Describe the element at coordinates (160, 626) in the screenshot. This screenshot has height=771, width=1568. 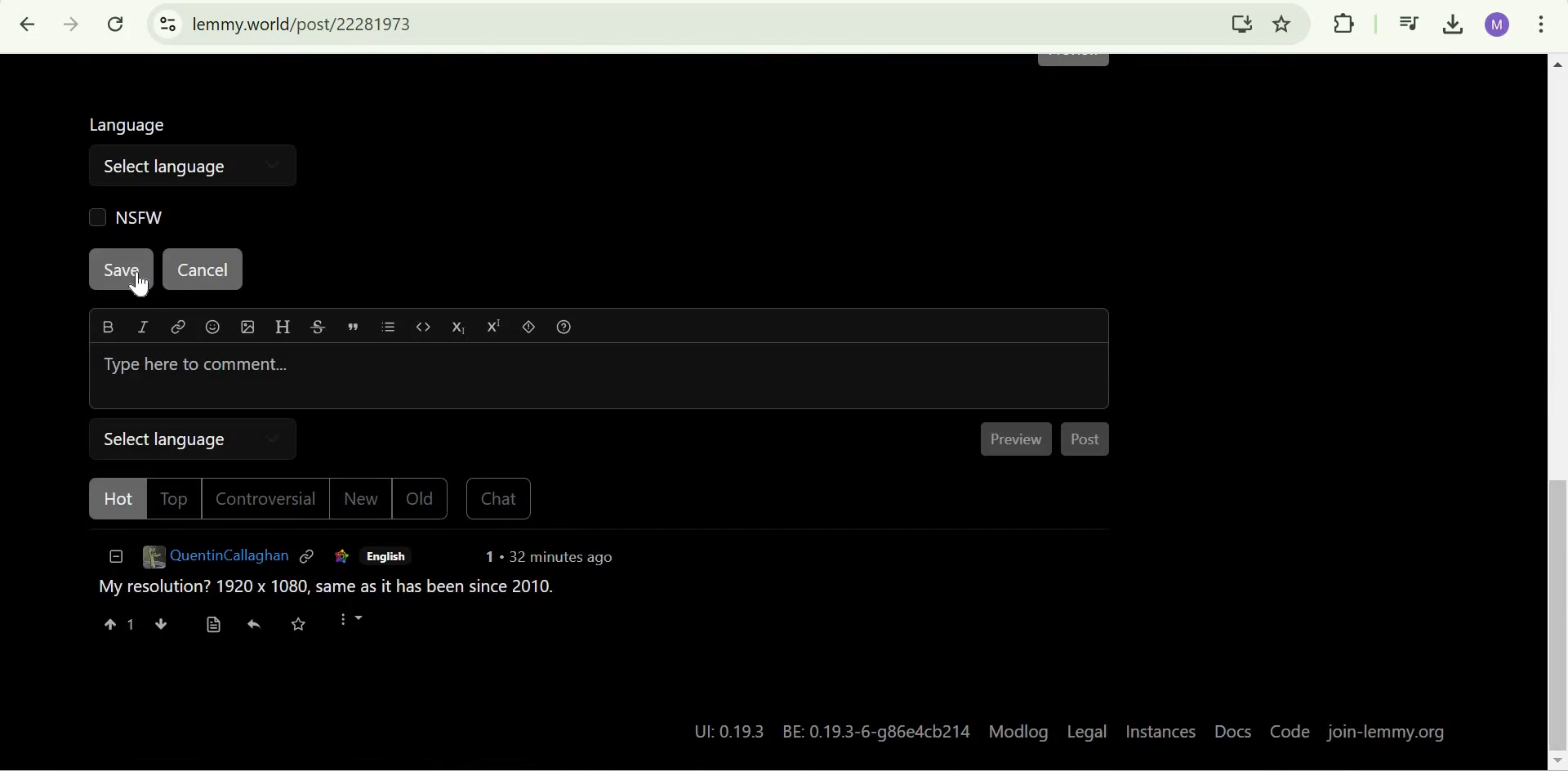
I see `downvote` at that location.